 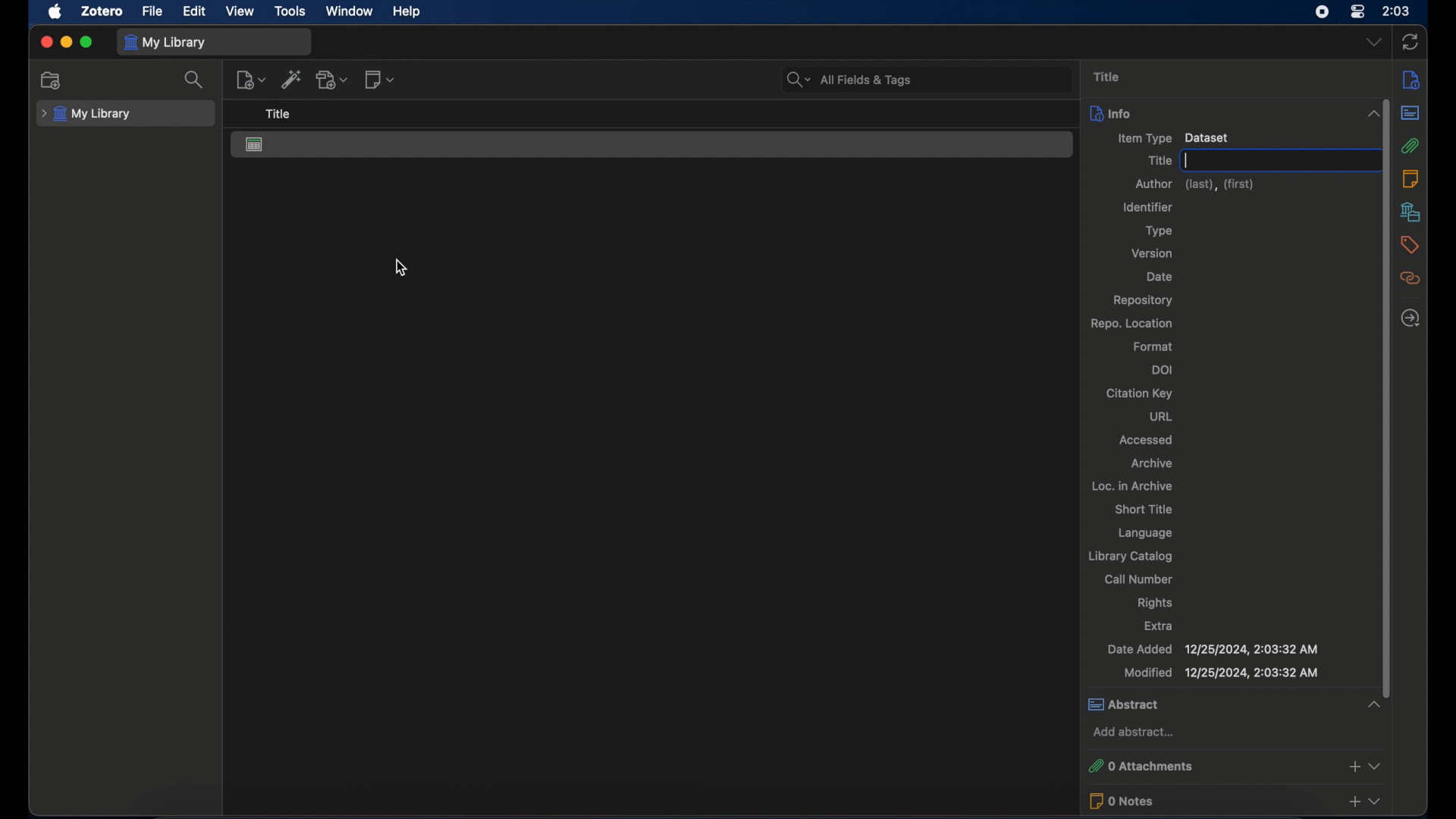 I want to click on search, so click(x=196, y=80).